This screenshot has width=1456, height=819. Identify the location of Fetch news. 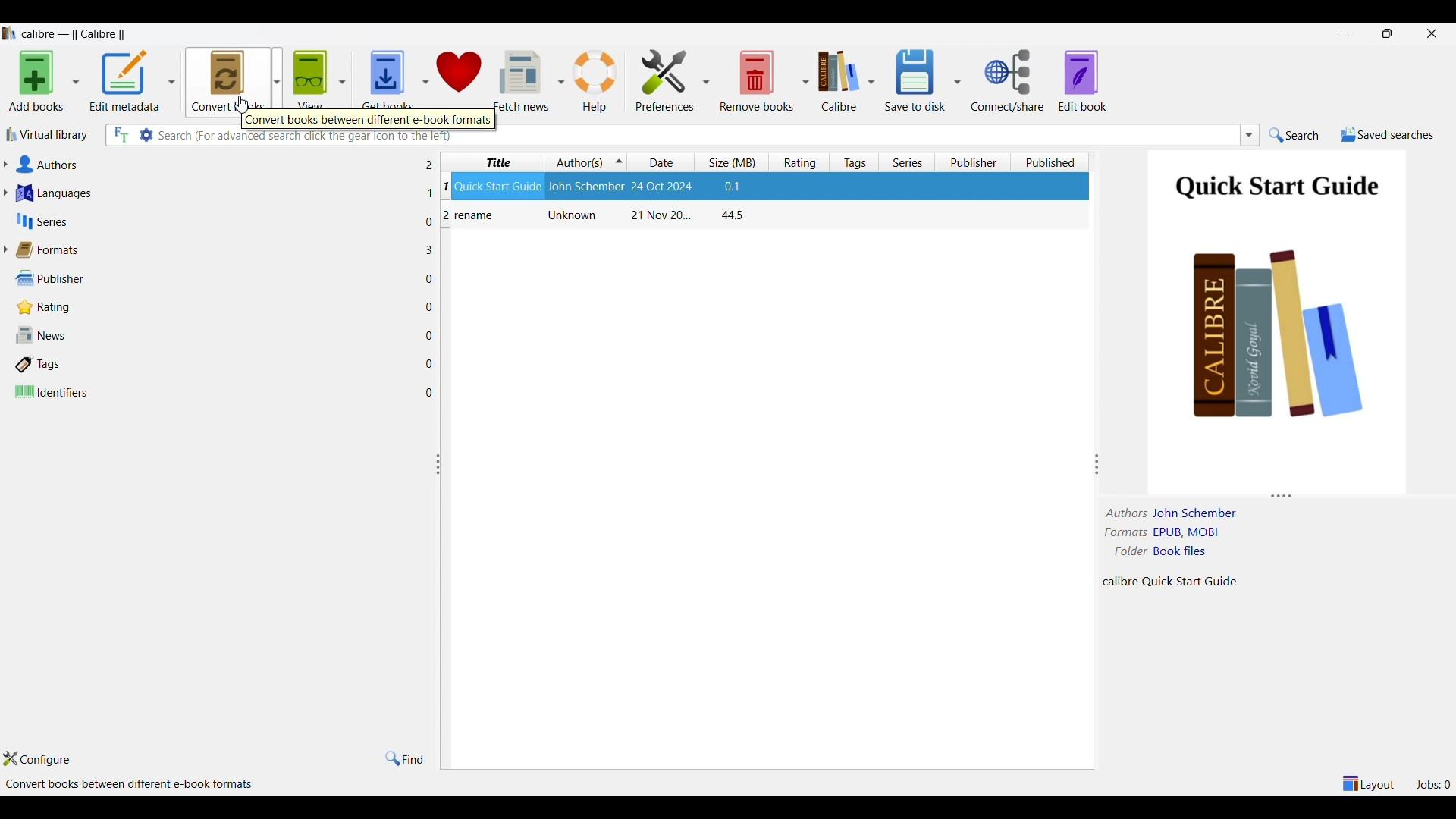
(521, 79).